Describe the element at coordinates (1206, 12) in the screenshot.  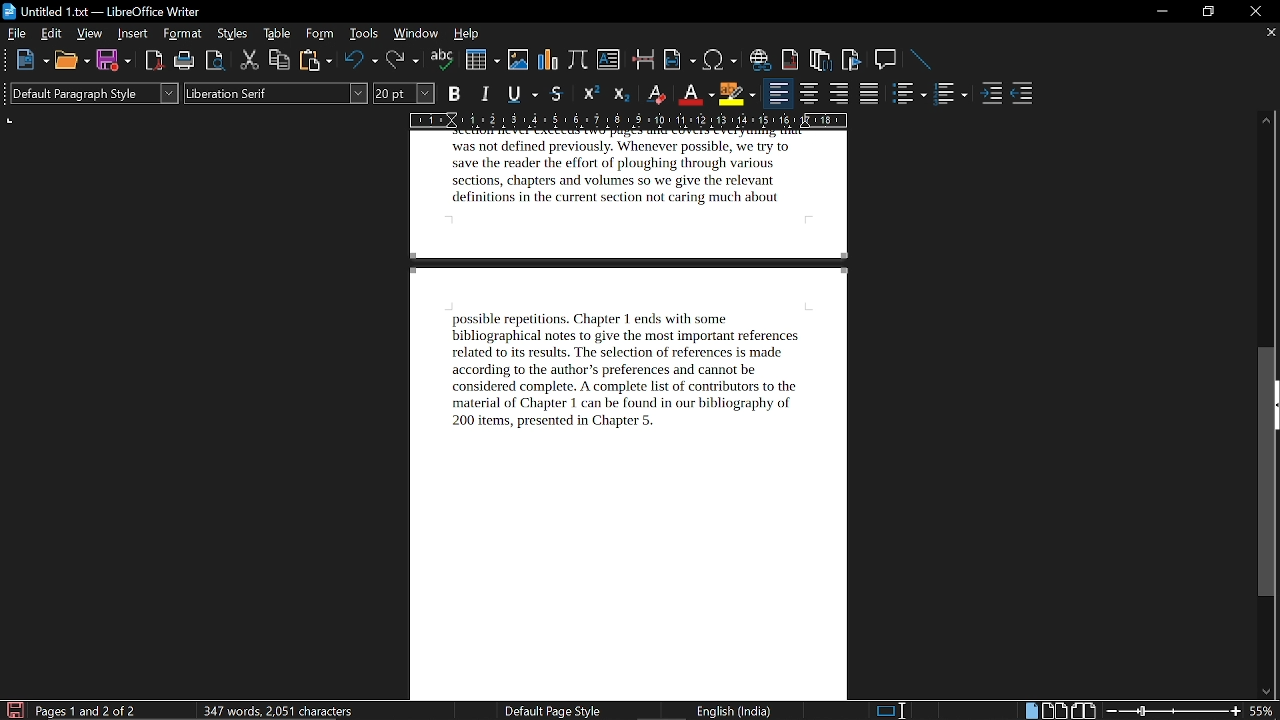
I see `restore down` at that location.